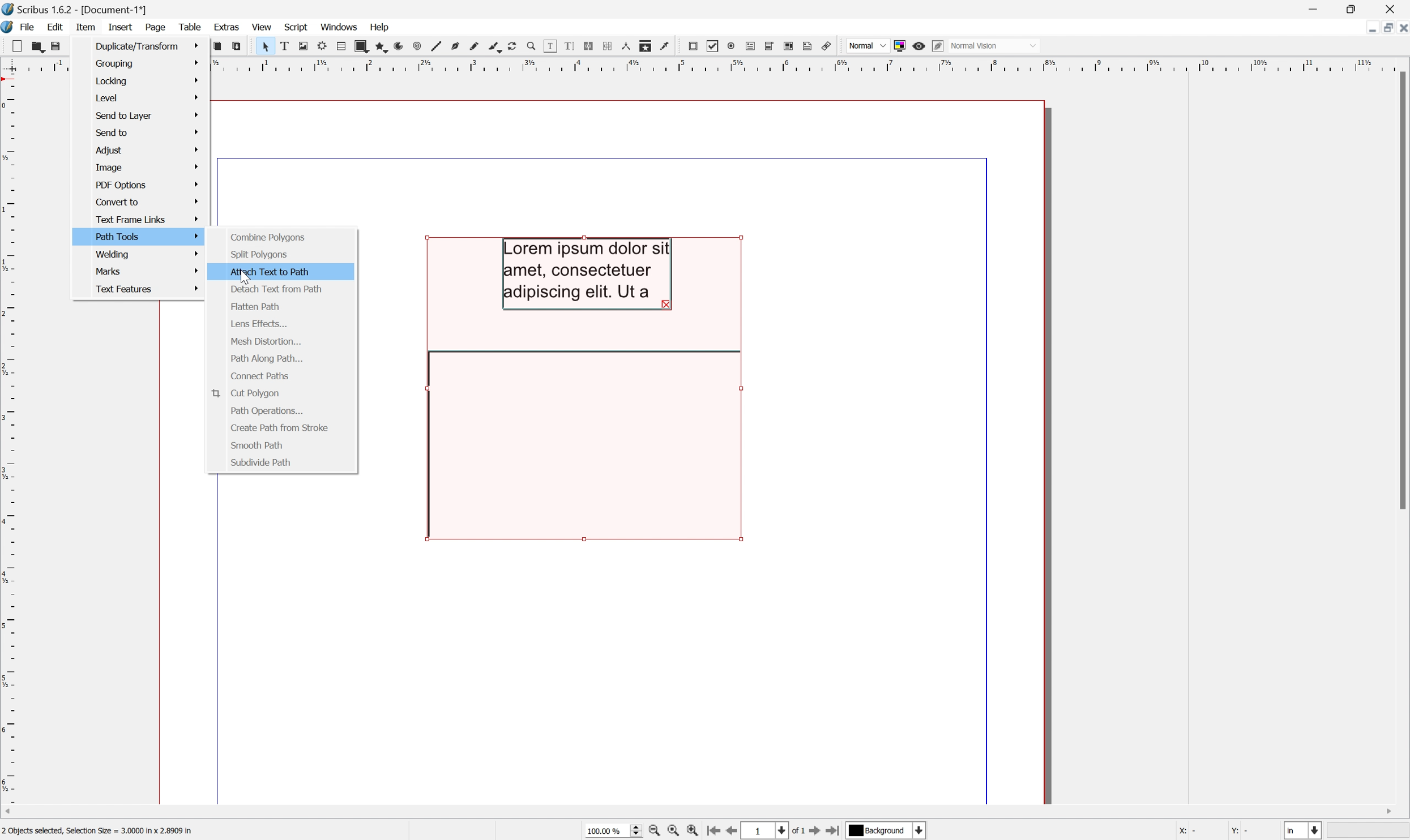 The height and width of the screenshot is (840, 1410). What do you see at coordinates (342, 28) in the screenshot?
I see `Windows` at bounding box center [342, 28].